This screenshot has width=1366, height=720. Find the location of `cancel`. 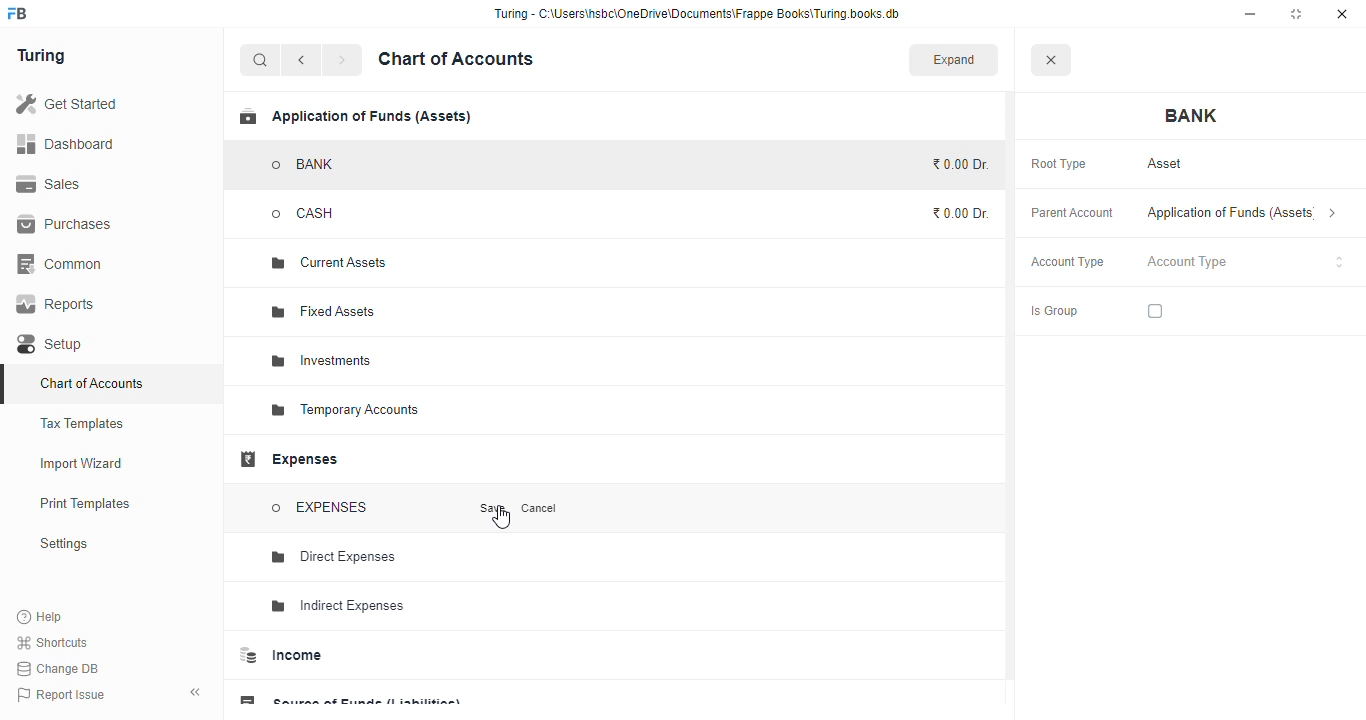

cancel is located at coordinates (540, 508).